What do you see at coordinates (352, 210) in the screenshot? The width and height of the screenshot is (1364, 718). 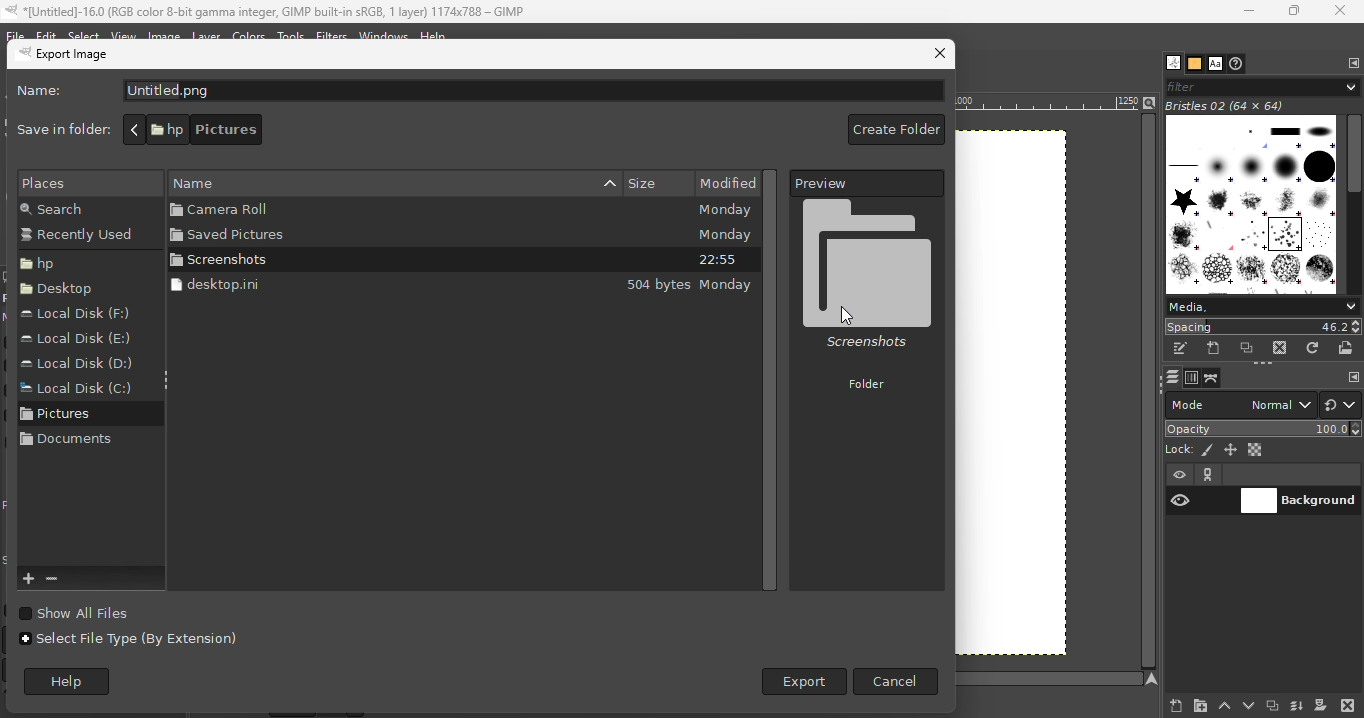 I see `Camera roll folder` at bounding box center [352, 210].